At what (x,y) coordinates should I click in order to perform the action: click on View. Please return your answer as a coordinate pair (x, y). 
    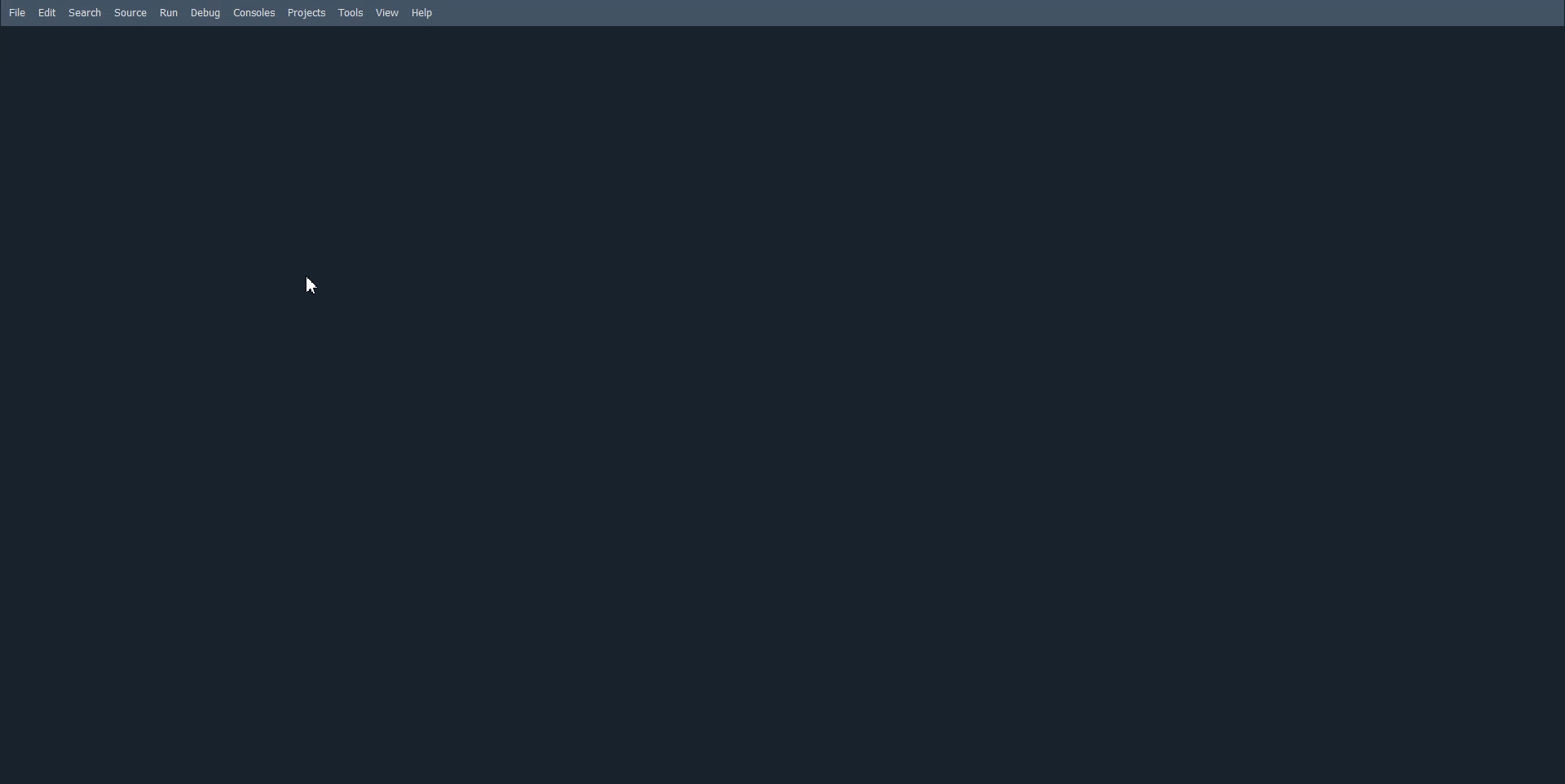
    Looking at the image, I should click on (388, 12).